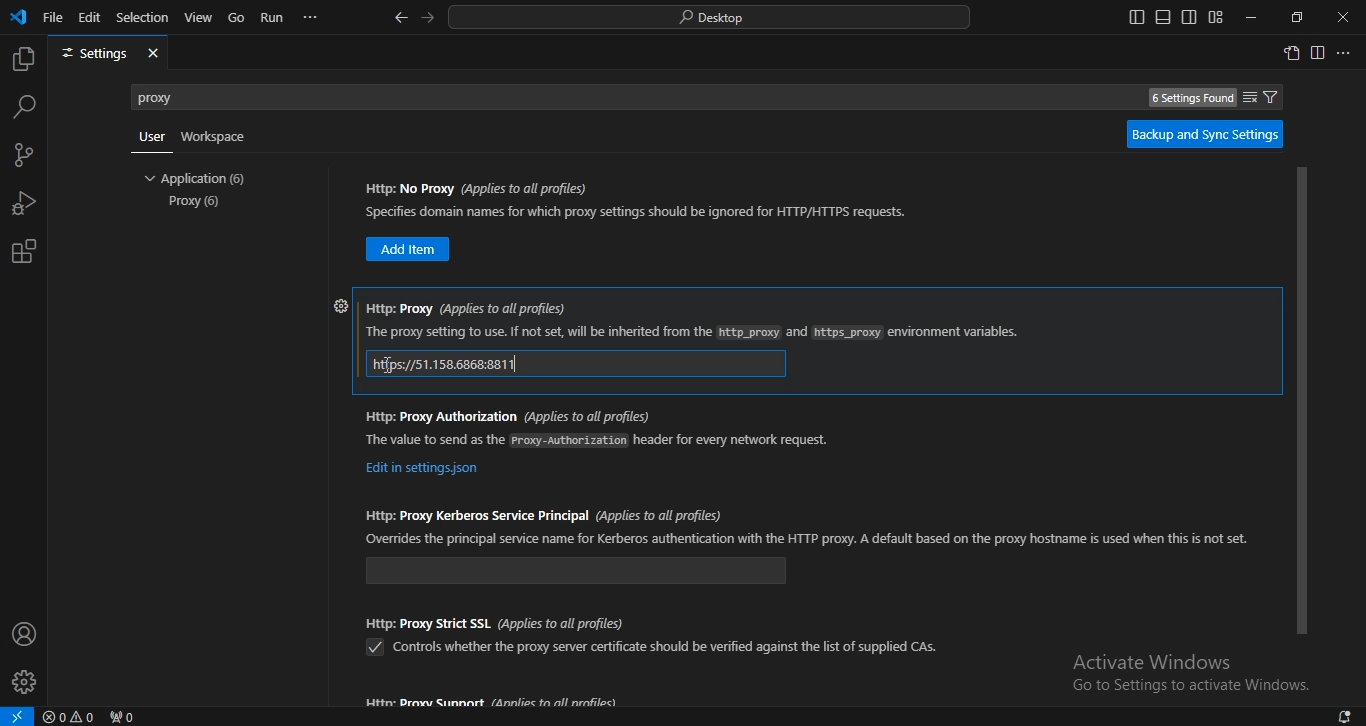  What do you see at coordinates (507, 415) in the screenshot?
I see `https: proxy authorization` at bounding box center [507, 415].